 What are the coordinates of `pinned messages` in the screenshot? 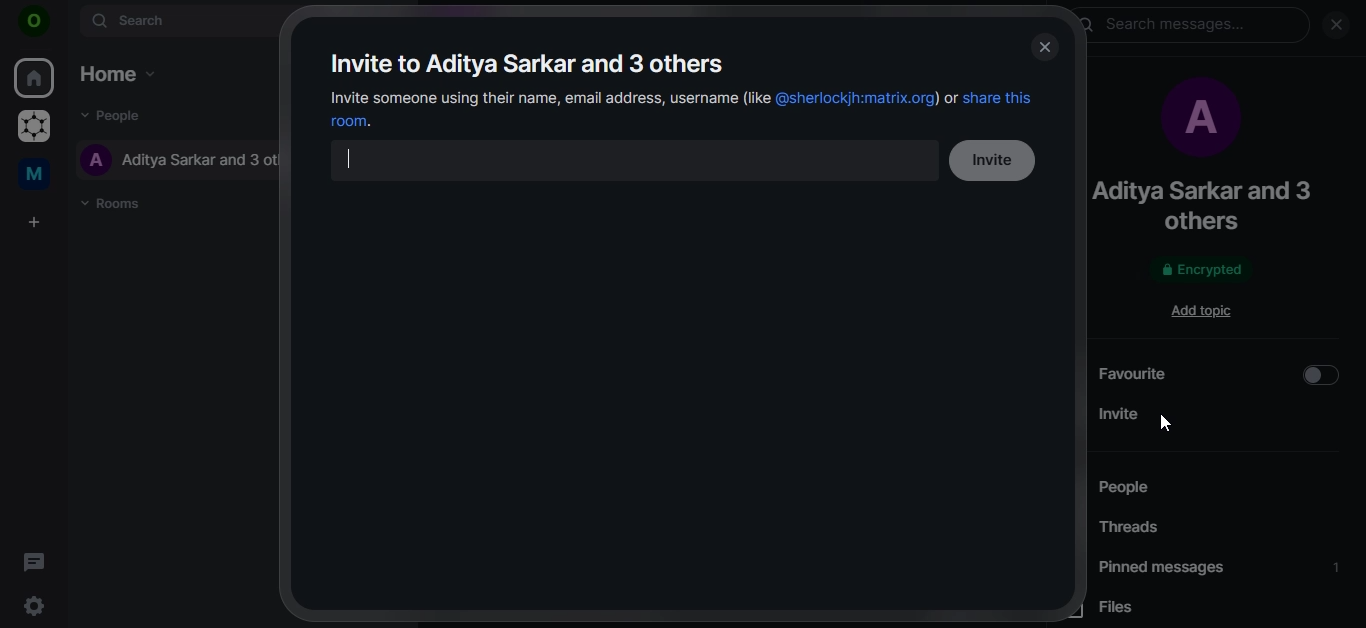 It's located at (1220, 567).